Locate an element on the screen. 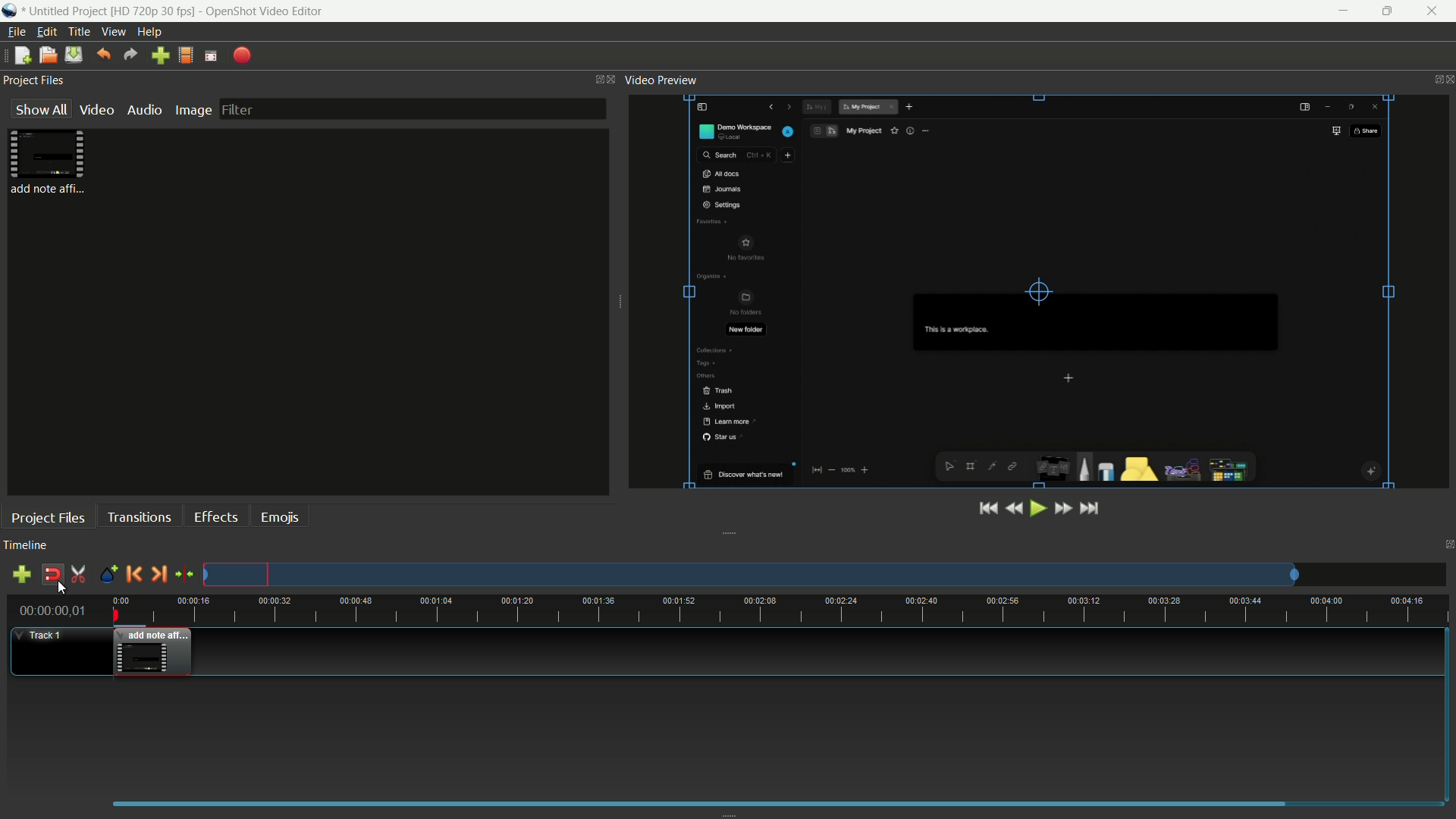 The width and height of the screenshot is (1456, 819).  is located at coordinates (215, 516).